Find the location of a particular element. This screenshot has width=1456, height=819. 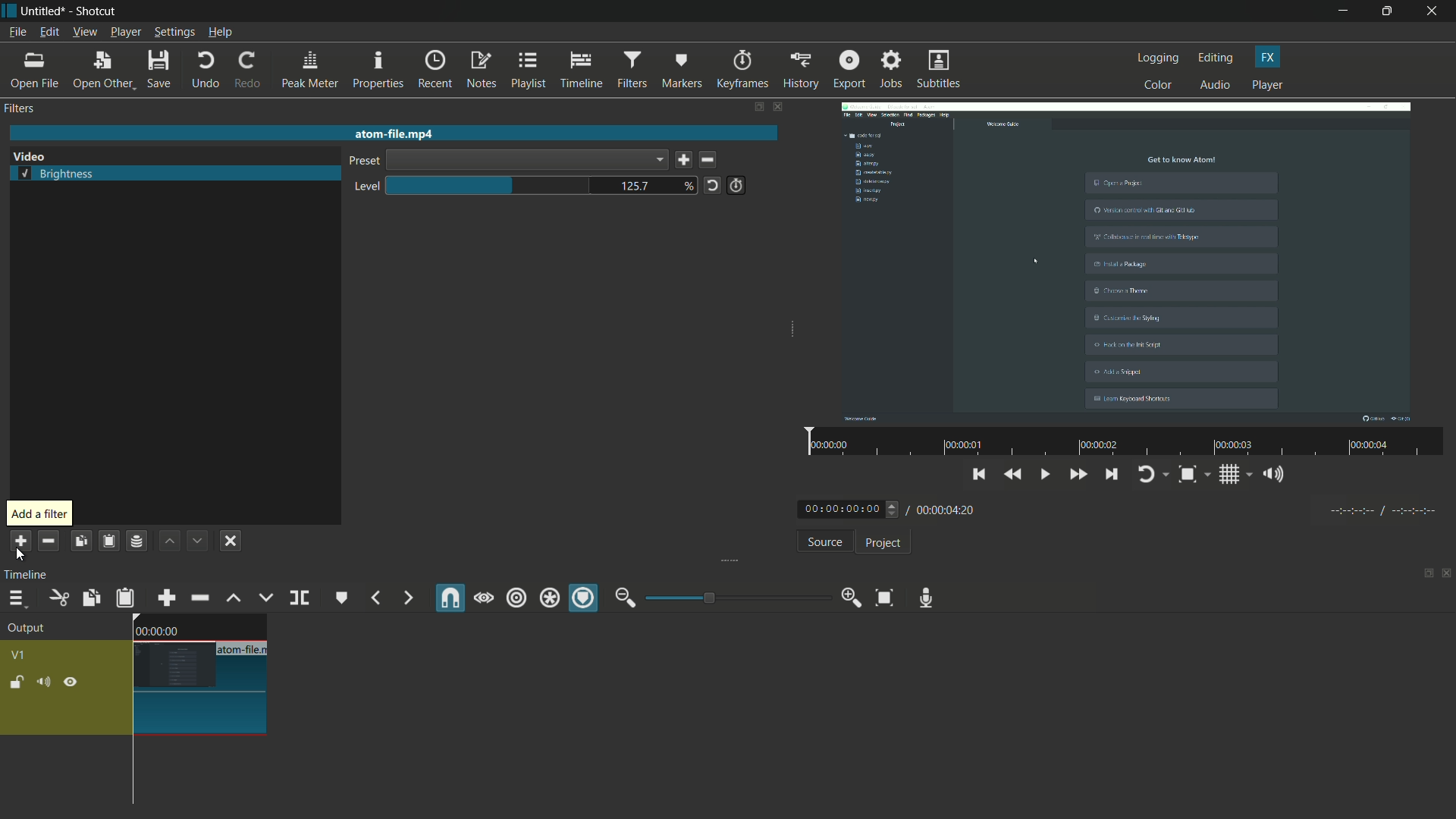

brightness bar is located at coordinates (490, 185).